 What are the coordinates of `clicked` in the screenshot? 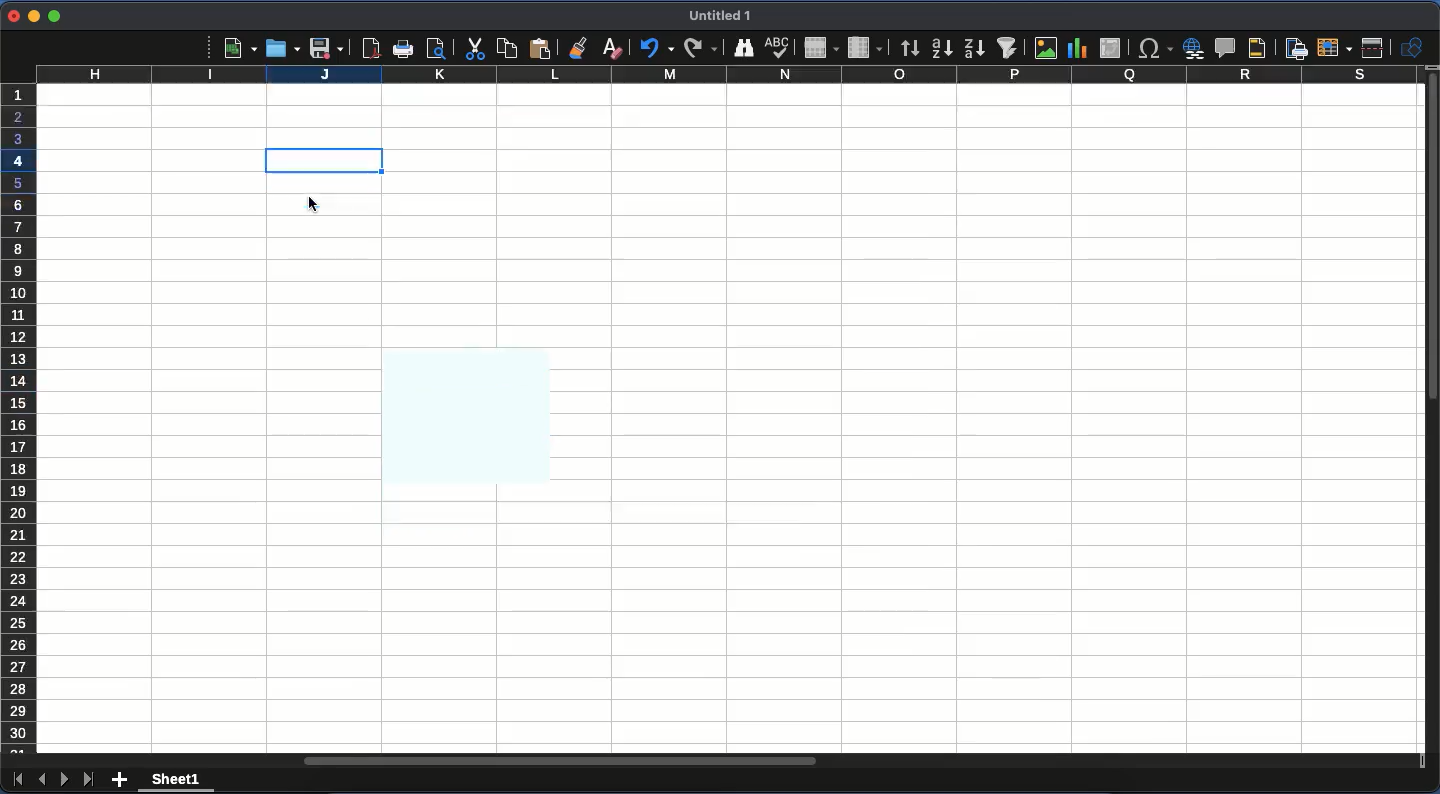 It's located at (326, 161).